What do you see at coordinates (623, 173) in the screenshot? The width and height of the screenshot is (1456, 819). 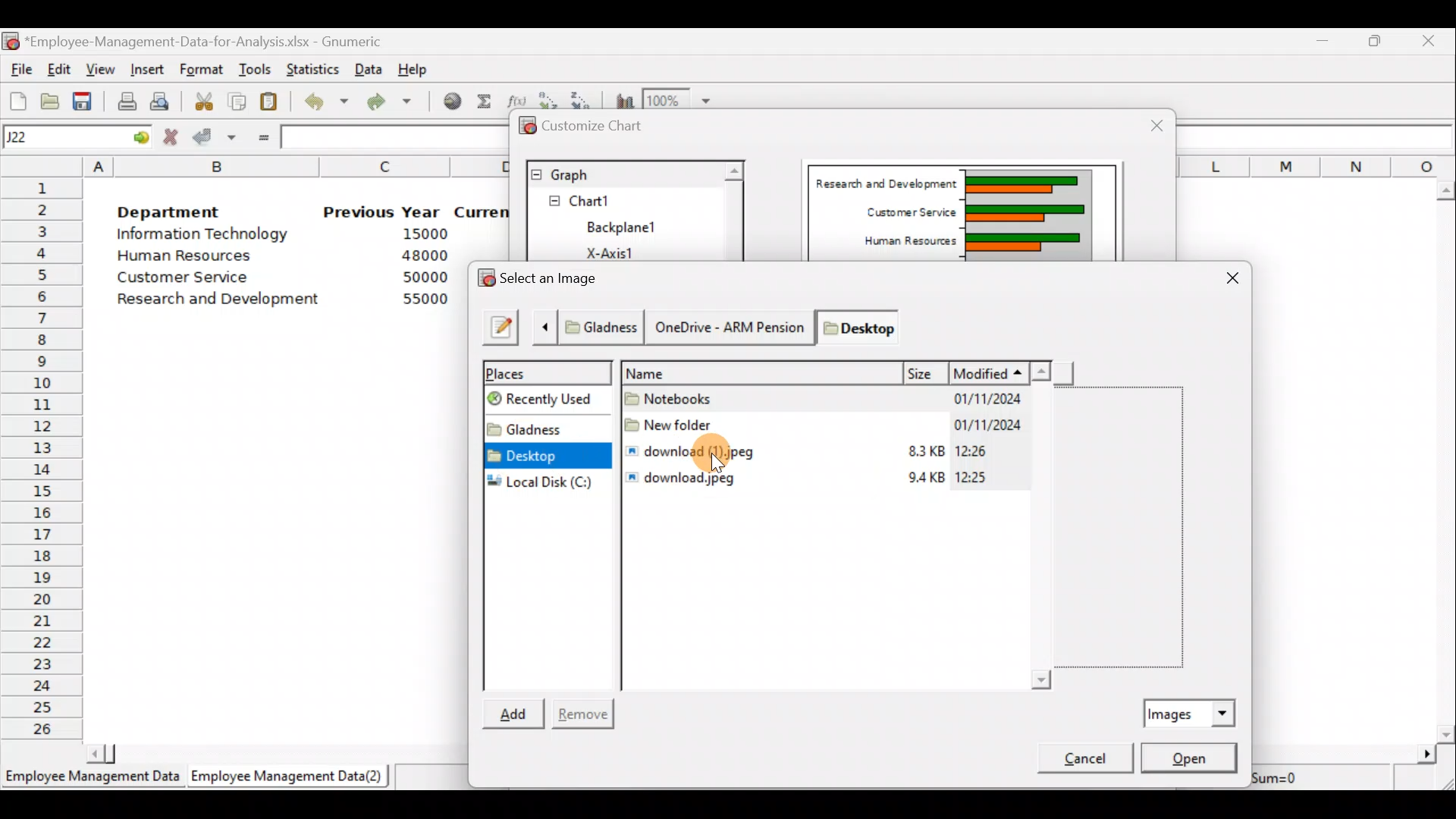 I see `Graph` at bounding box center [623, 173].